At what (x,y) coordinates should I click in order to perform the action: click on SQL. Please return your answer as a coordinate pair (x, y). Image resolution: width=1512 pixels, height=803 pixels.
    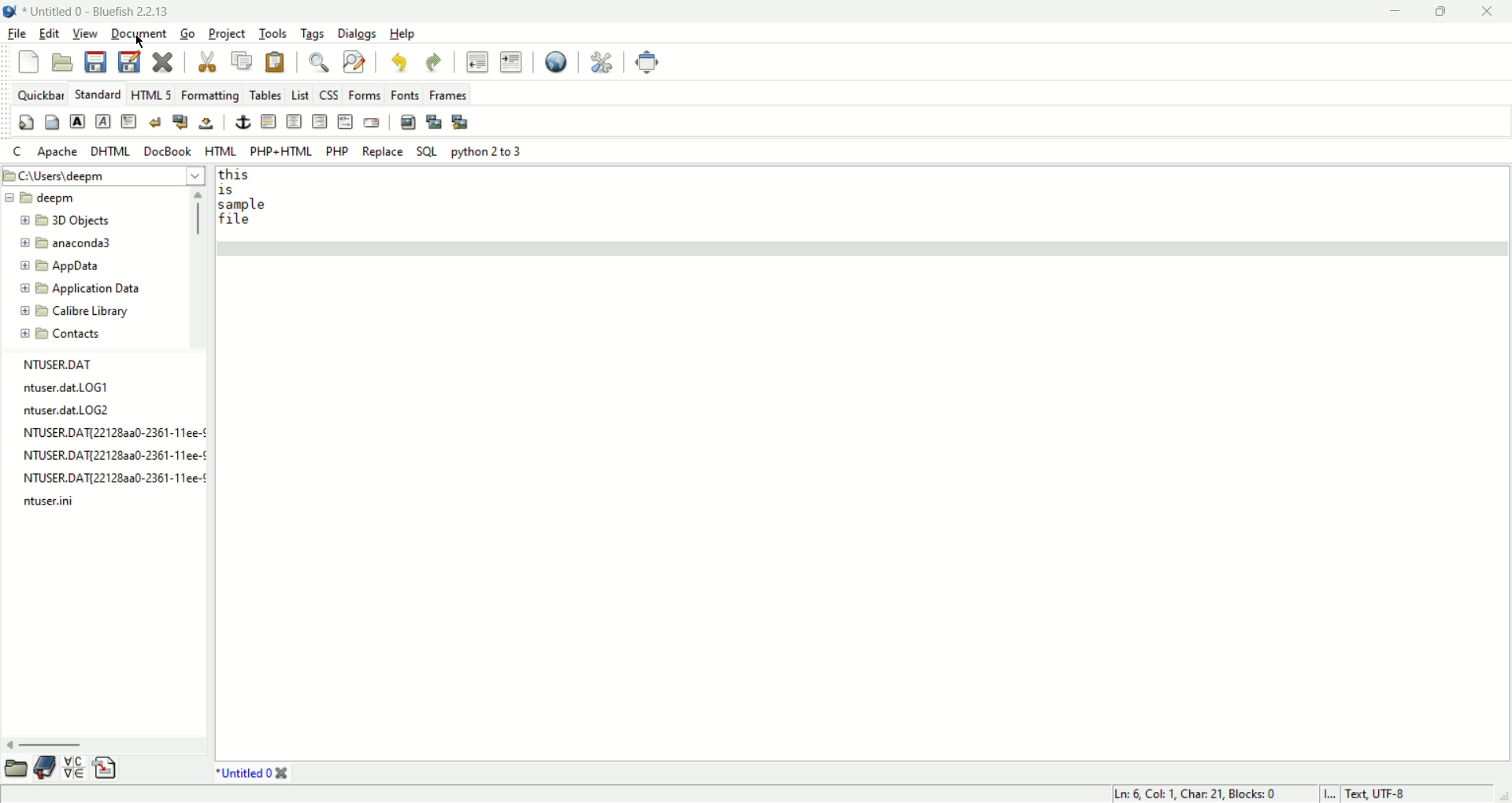
    Looking at the image, I should click on (426, 153).